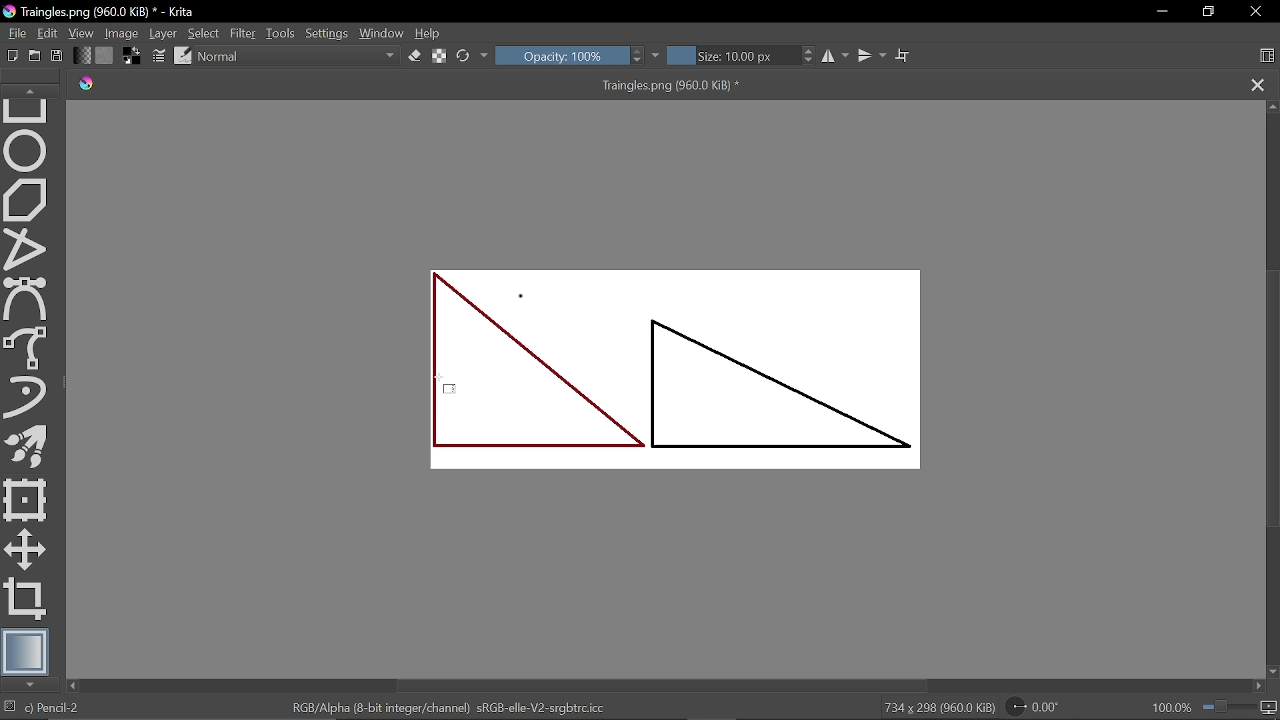 This screenshot has width=1280, height=720. What do you see at coordinates (464, 57) in the screenshot?
I see `Reload original preset` at bounding box center [464, 57].